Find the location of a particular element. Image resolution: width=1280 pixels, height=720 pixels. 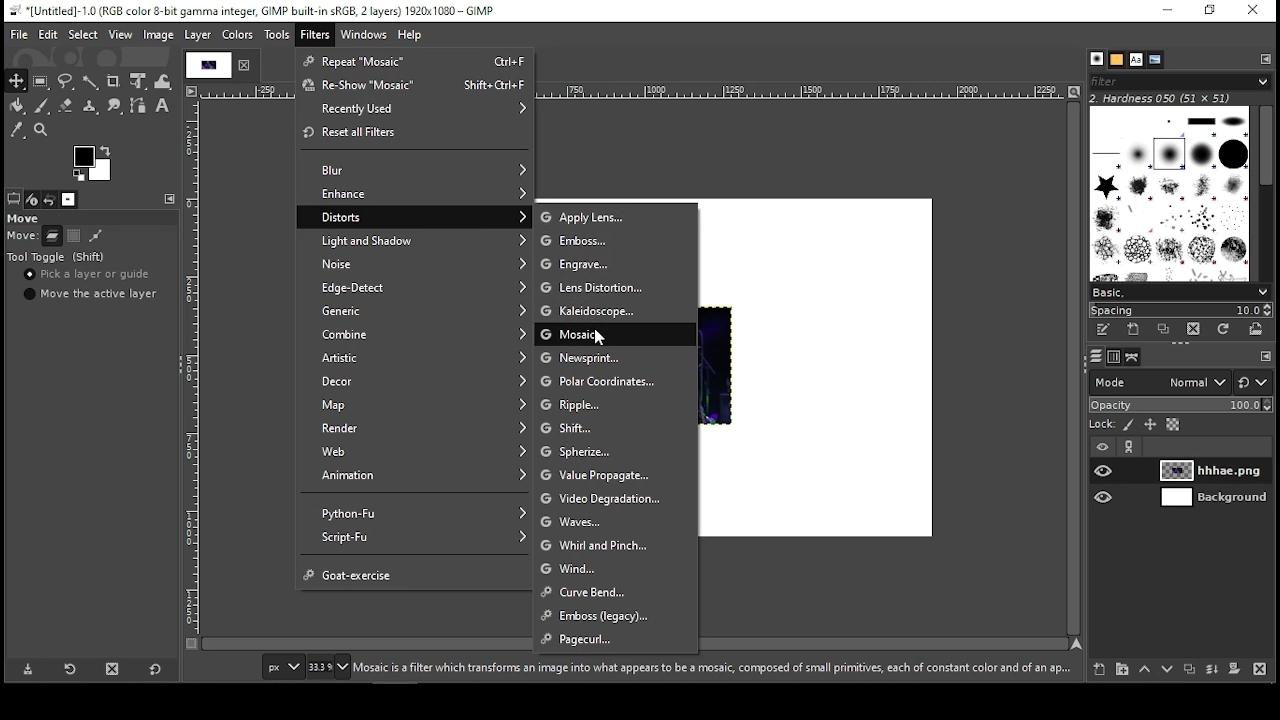

lock is located at coordinates (1103, 424).